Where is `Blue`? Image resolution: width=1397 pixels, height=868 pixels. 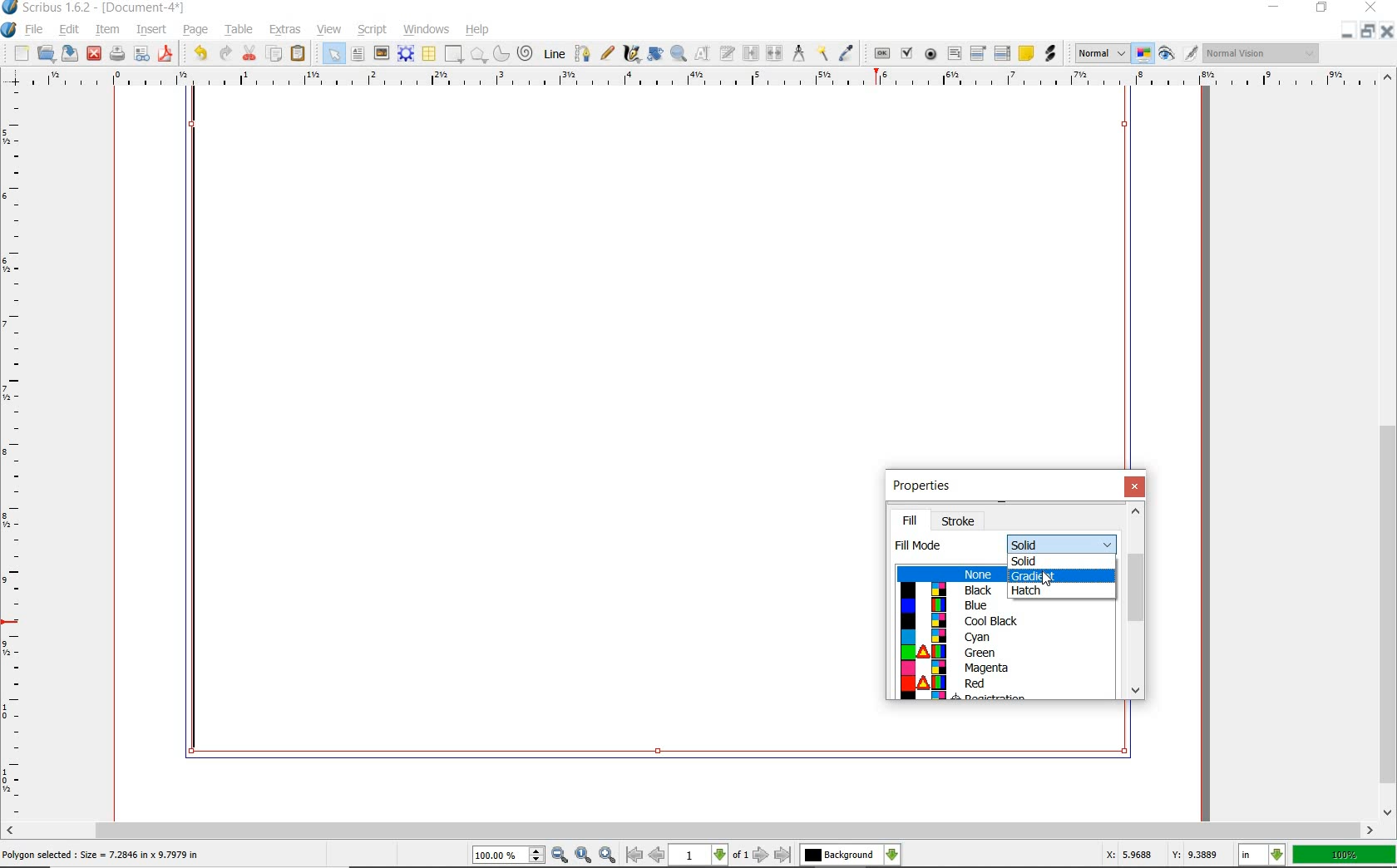 Blue is located at coordinates (953, 605).